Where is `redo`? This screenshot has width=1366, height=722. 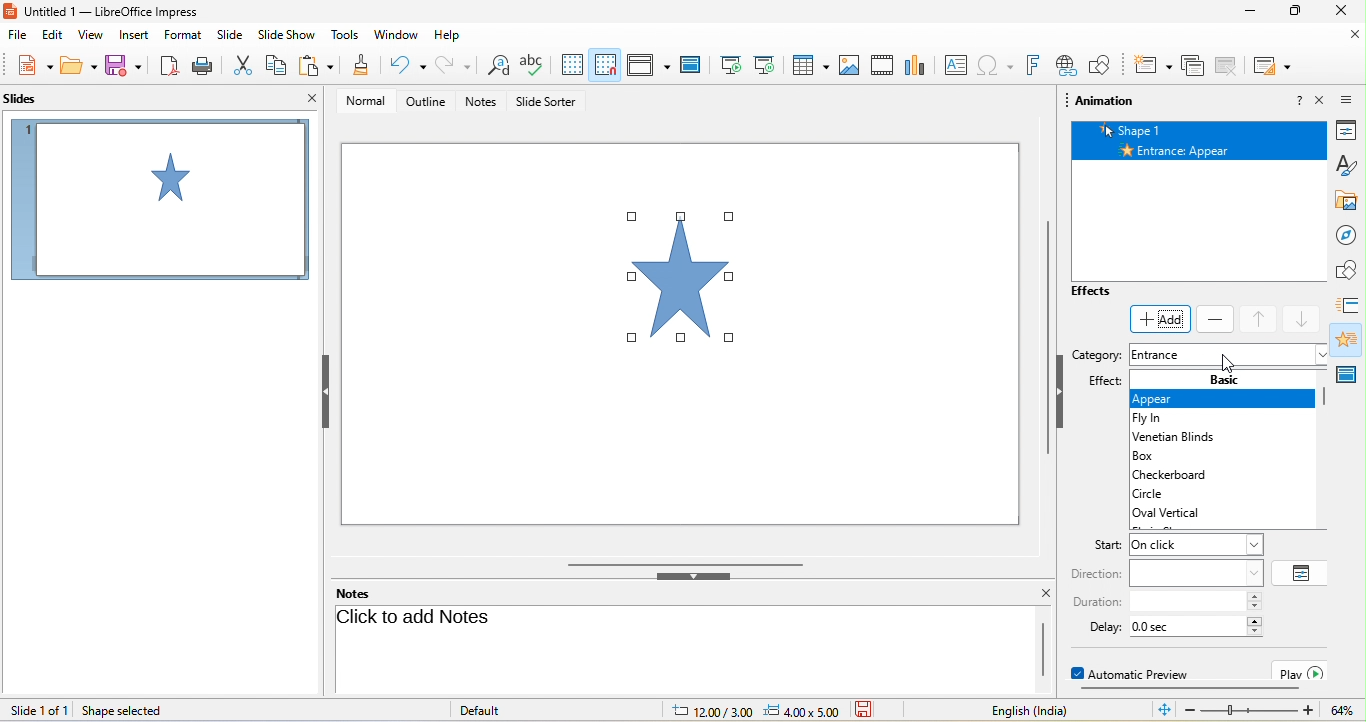 redo is located at coordinates (451, 65).